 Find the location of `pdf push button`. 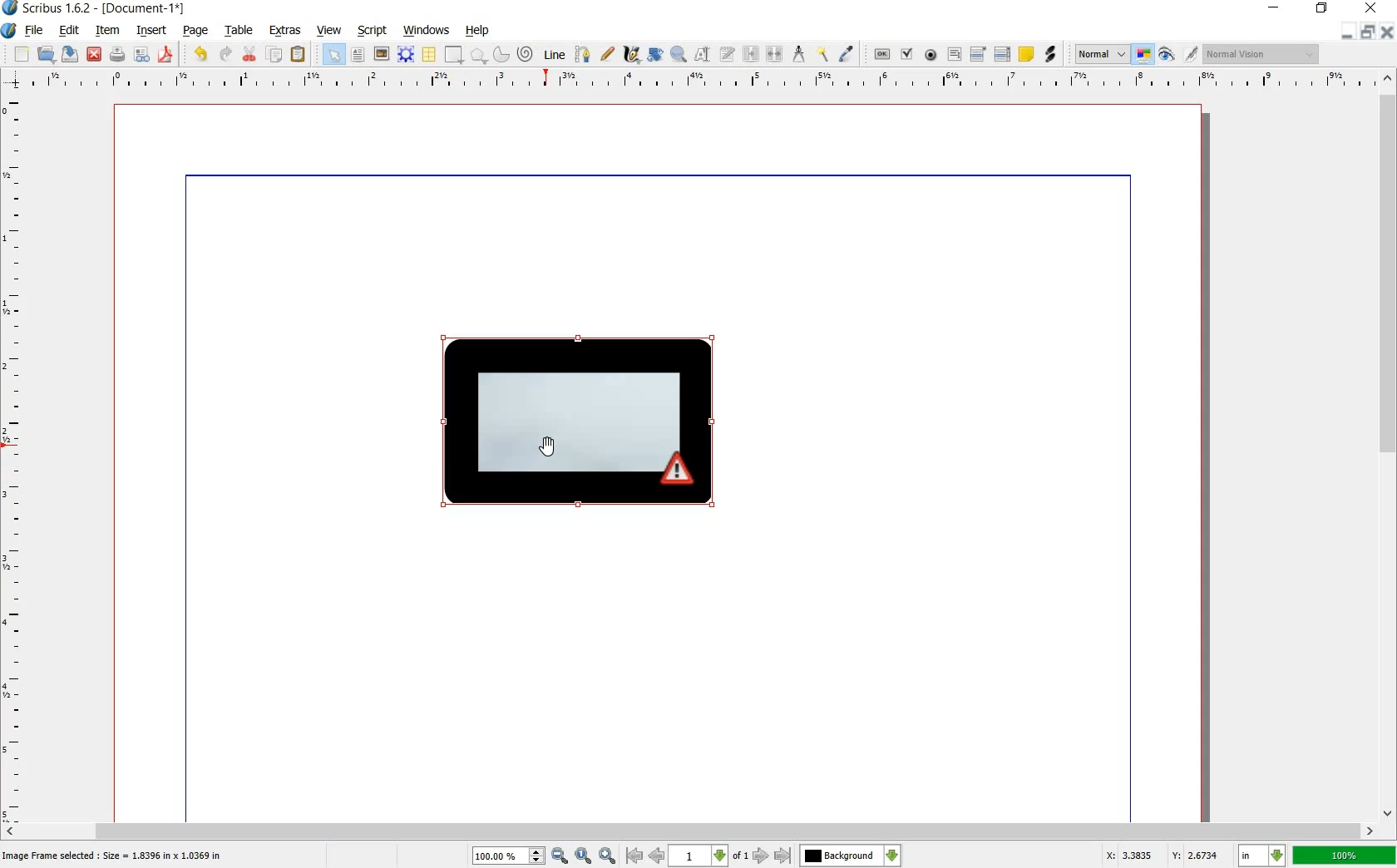

pdf push button is located at coordinates (877, 54).